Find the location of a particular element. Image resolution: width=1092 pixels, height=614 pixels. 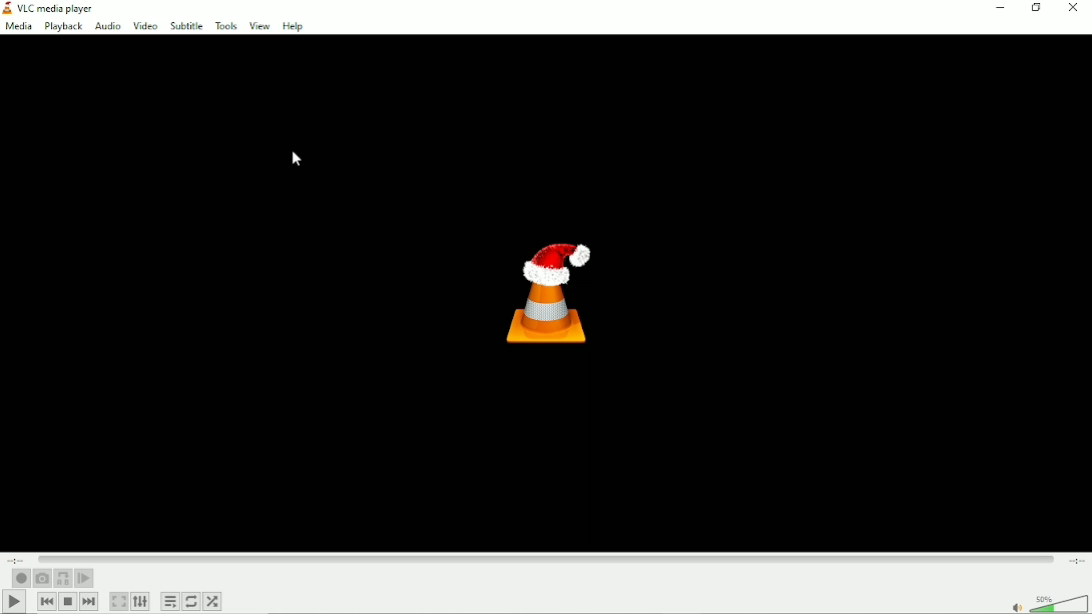

VLC media player is located at coordinates (63, 8).